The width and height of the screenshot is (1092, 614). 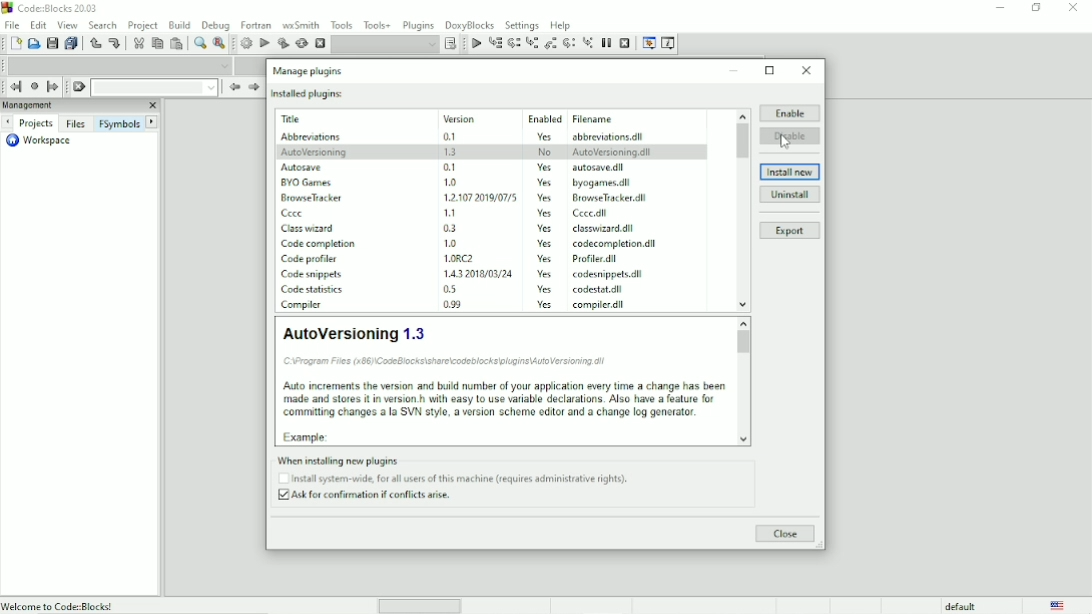 I want to click on View, so click(x=67, y=25).